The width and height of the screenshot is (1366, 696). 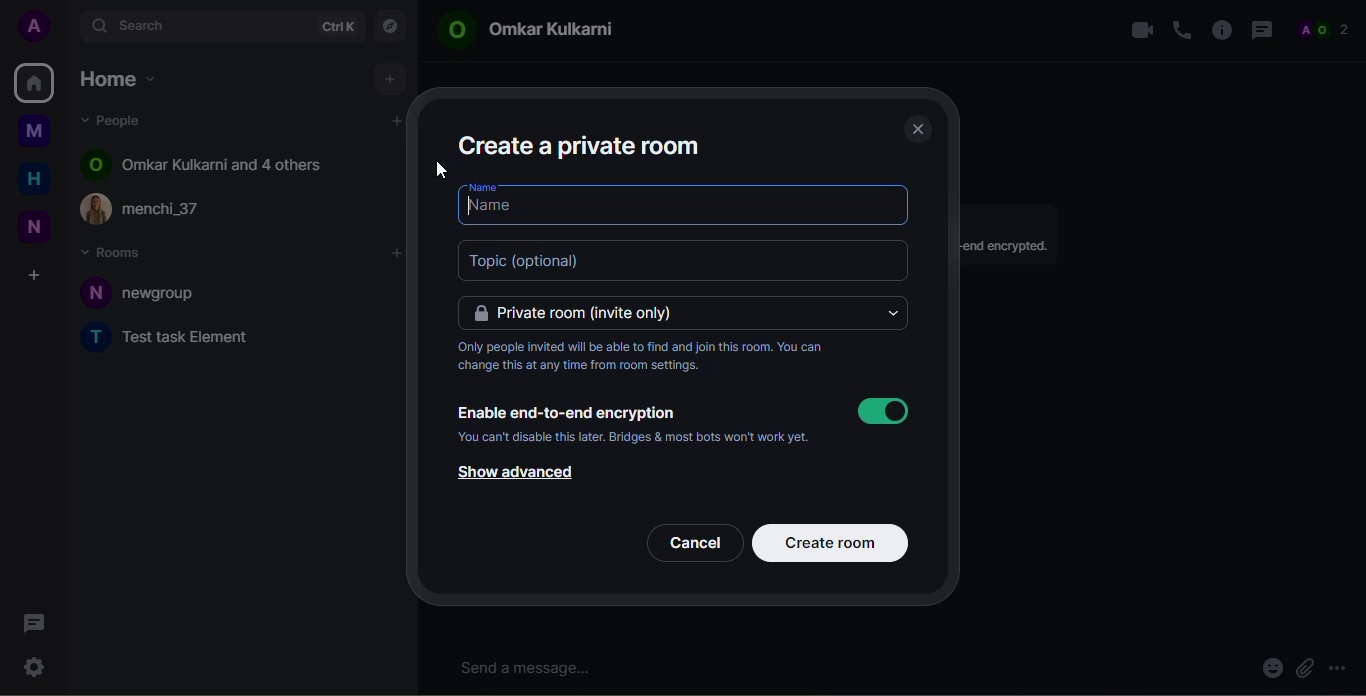 I want to click on name, so click(x=520, y=208).